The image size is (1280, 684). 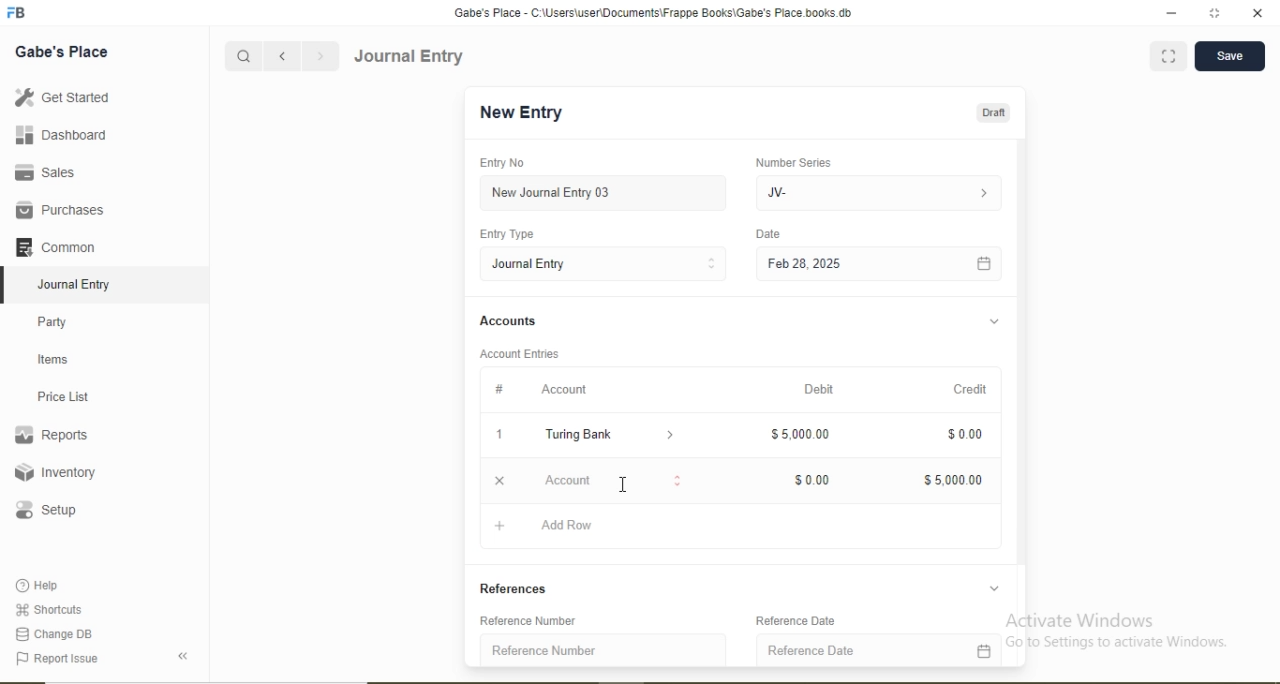 I want to click on Add Row, so click(x=567, y=525).